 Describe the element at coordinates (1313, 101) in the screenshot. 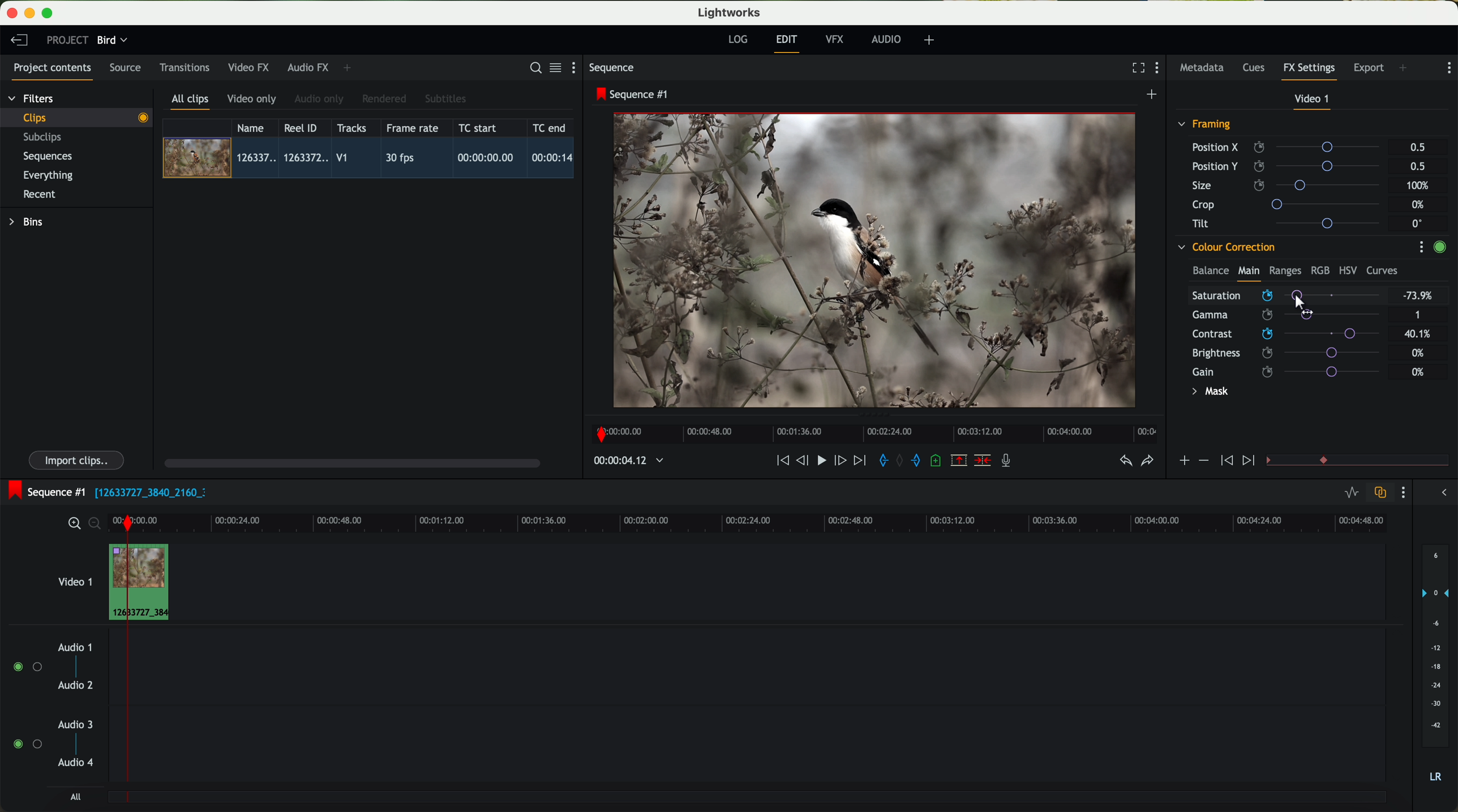

I see `video 1` at that location.